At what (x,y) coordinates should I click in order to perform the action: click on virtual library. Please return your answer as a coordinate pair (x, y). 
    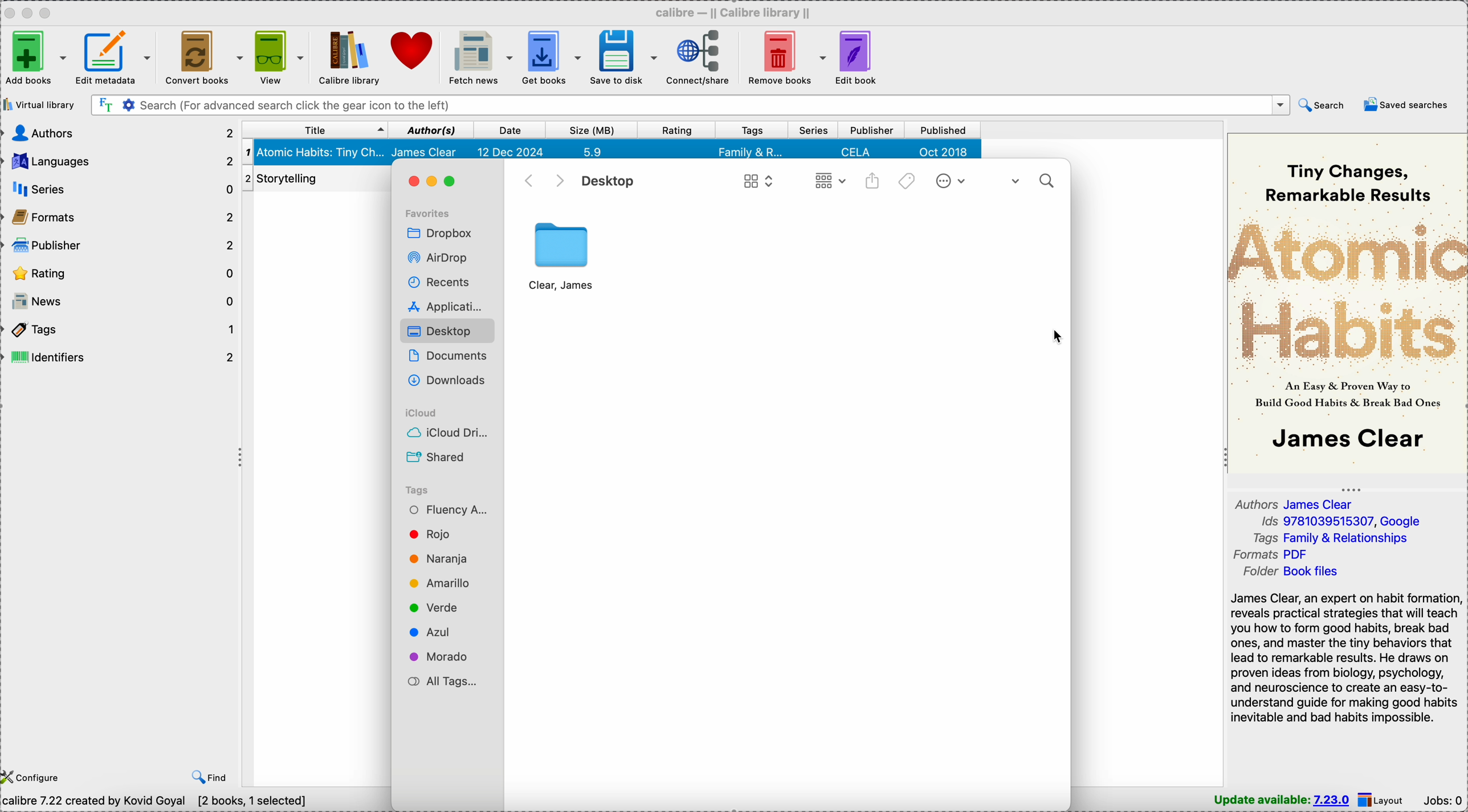
    Looking at the image, I should click on (39, 104).